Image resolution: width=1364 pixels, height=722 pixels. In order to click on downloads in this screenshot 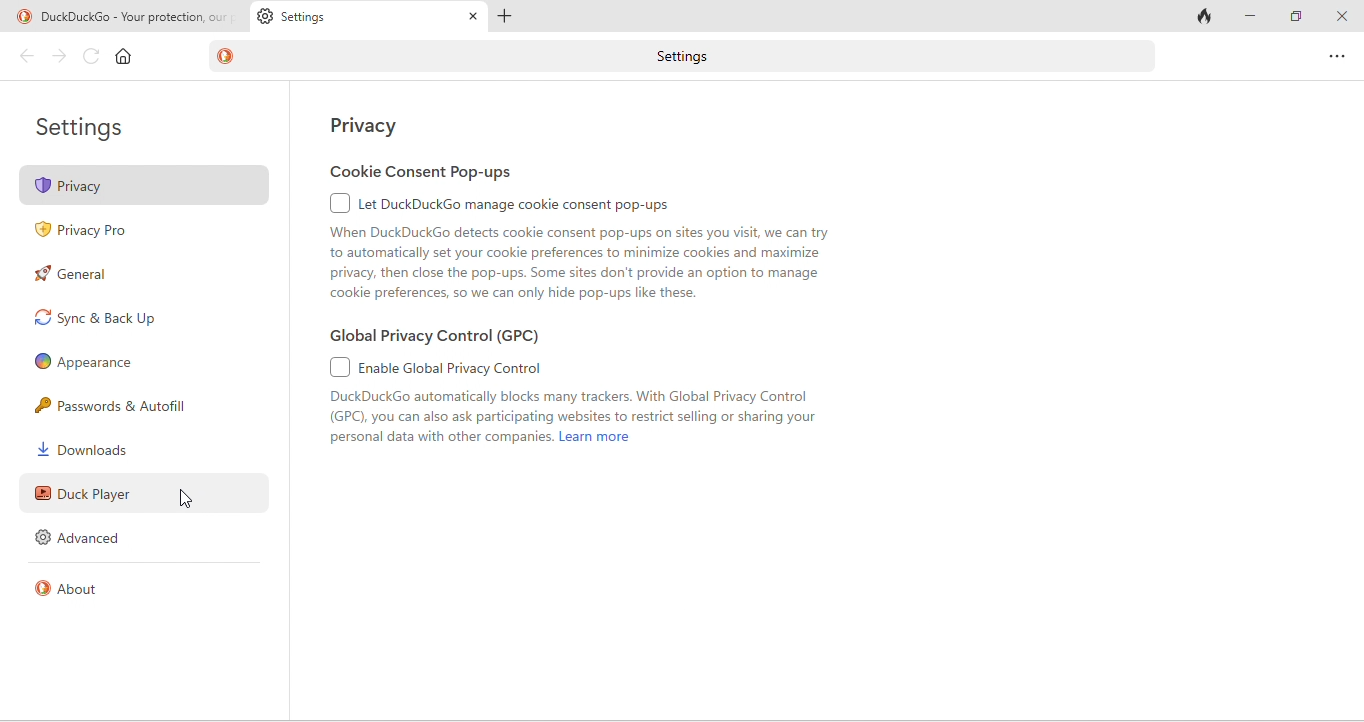, I will do `click(95, 449)`.